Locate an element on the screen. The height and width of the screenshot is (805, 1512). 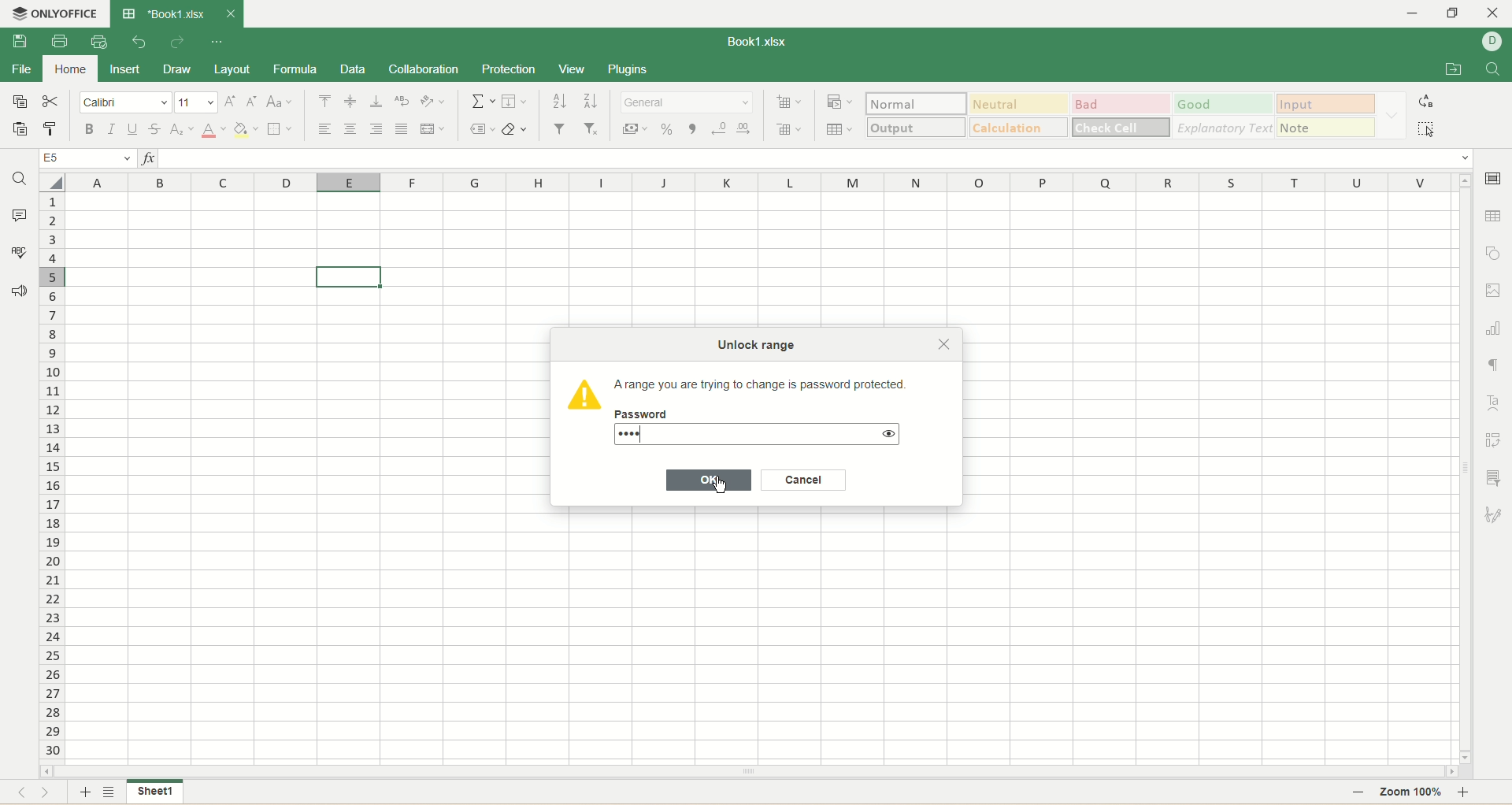
cursor is located at coordinates (723, 489).